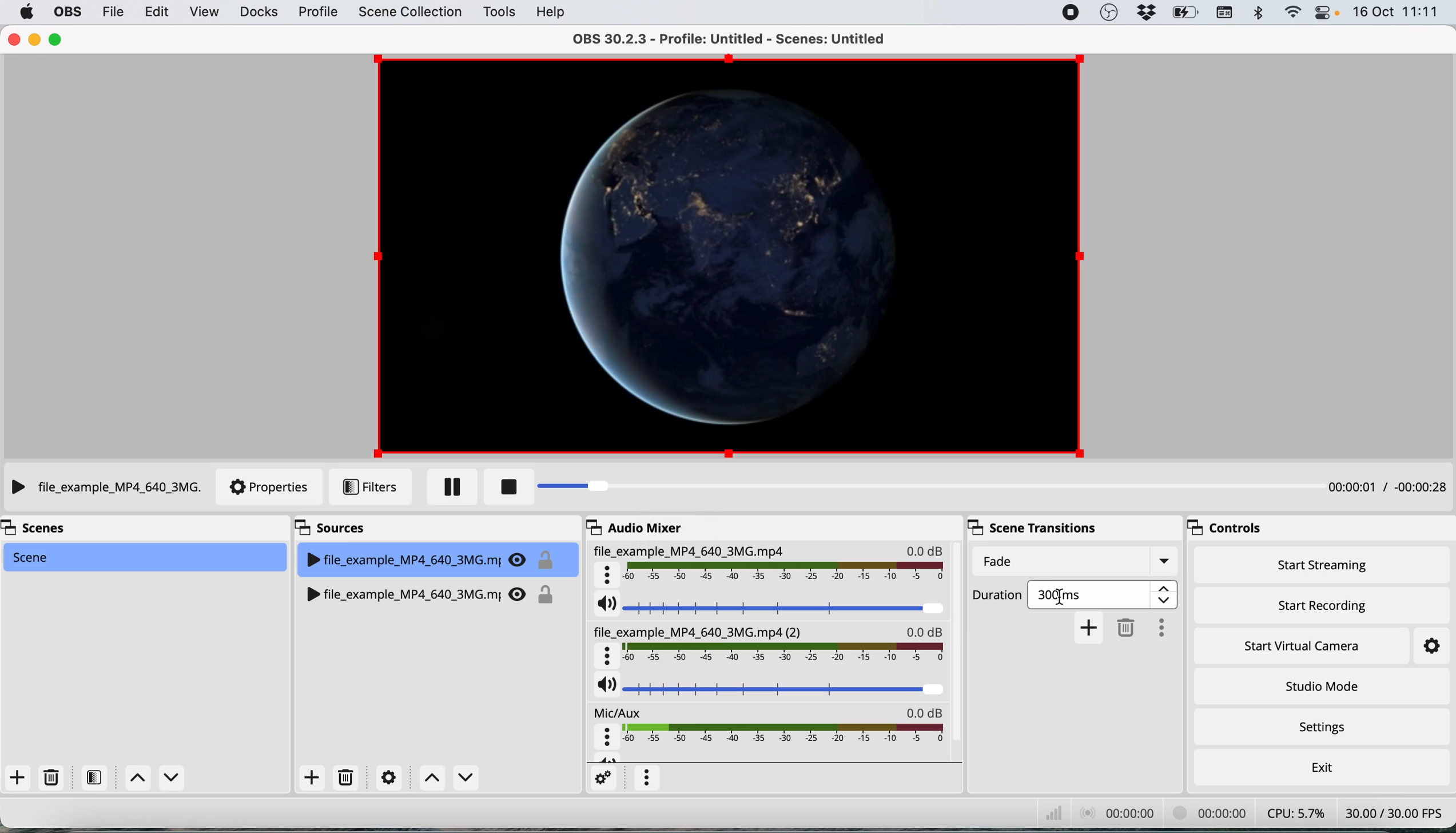  Describe the element at coordinates (1398, 12) in the screenshot. I see `date and time` at that location.